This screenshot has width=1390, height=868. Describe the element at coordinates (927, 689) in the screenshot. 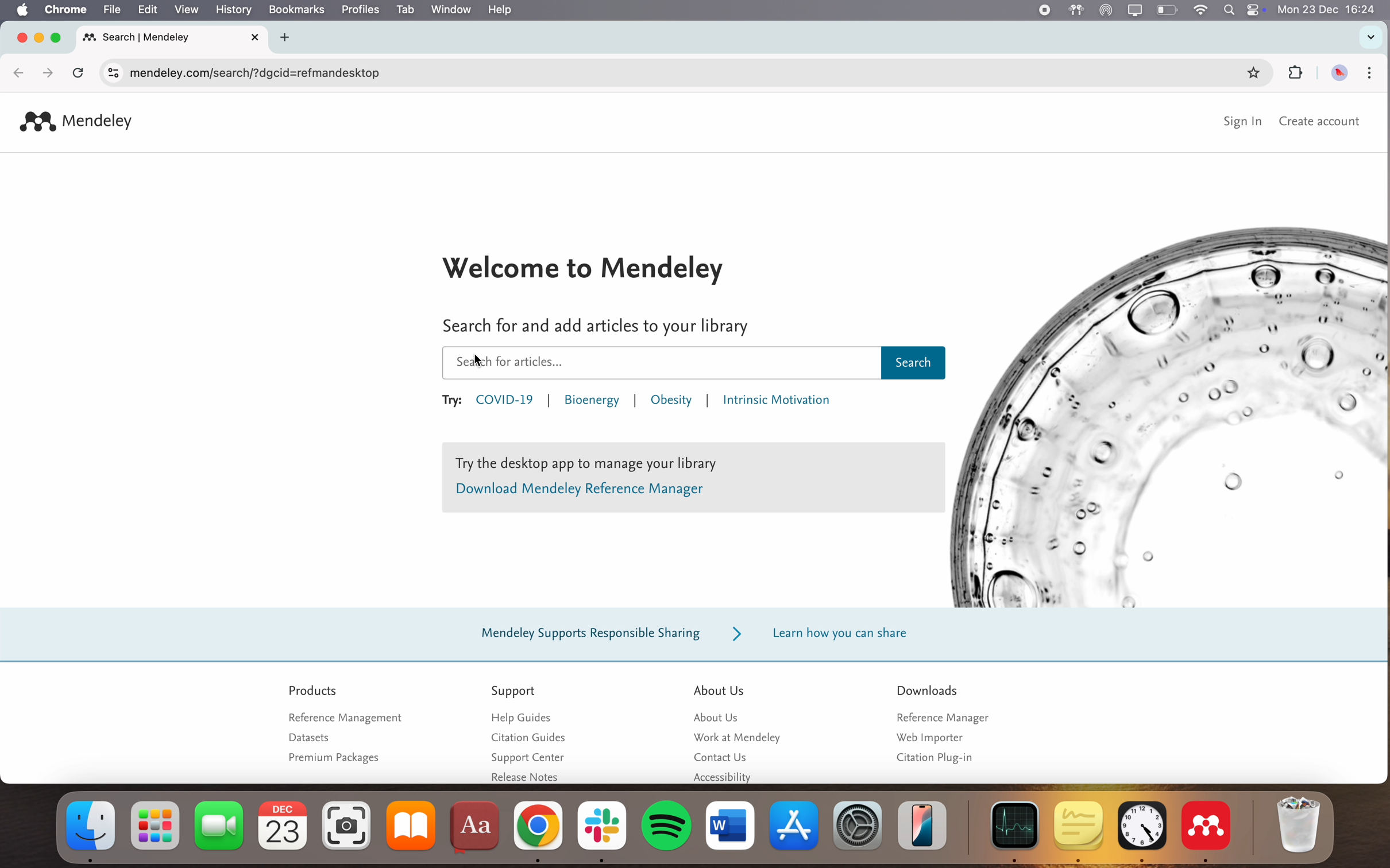

I see `downloads` at that location.